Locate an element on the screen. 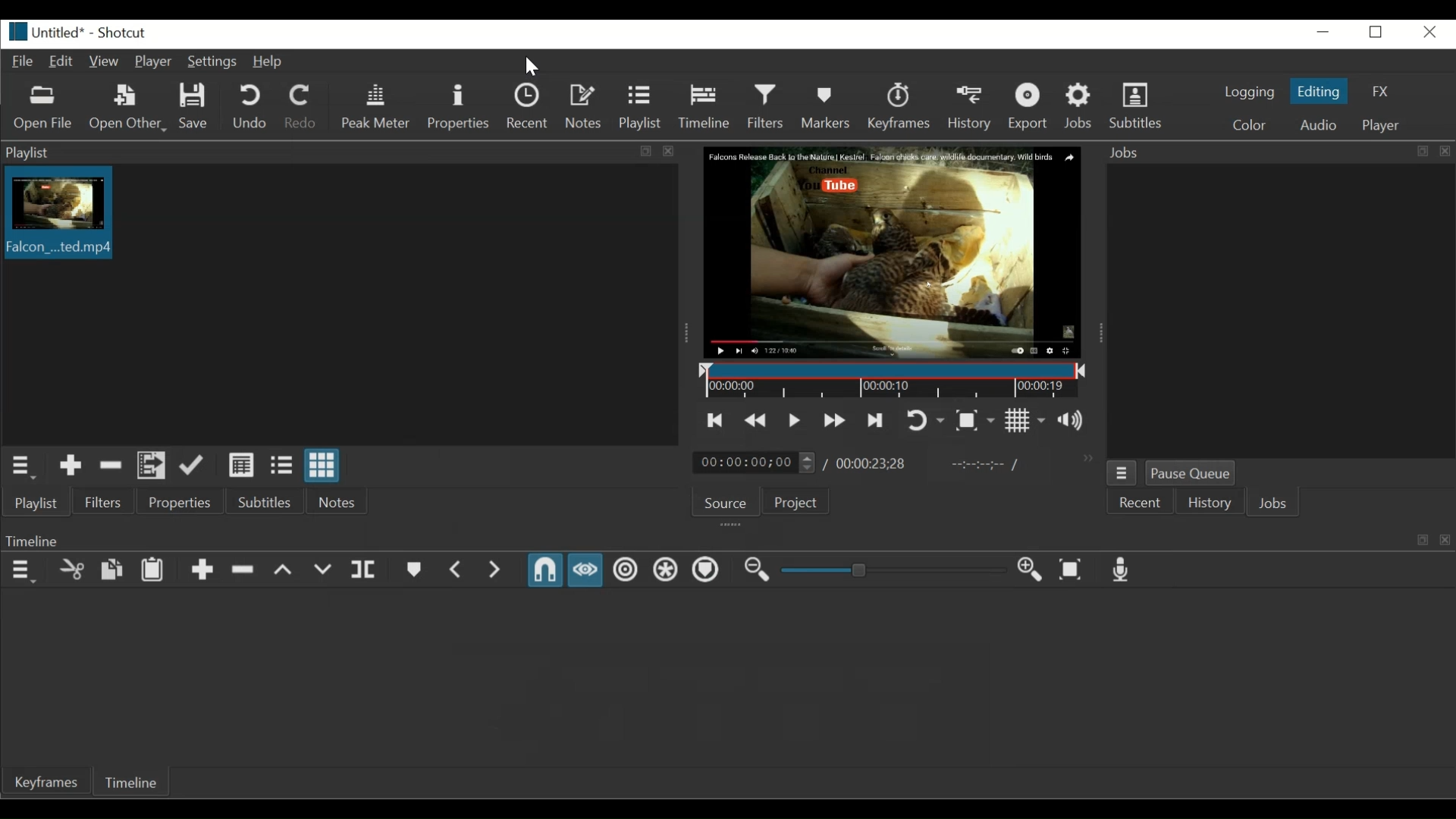 The height and width of the screenshot is (819, 1456). Edit is located at coordinates (61, 63).